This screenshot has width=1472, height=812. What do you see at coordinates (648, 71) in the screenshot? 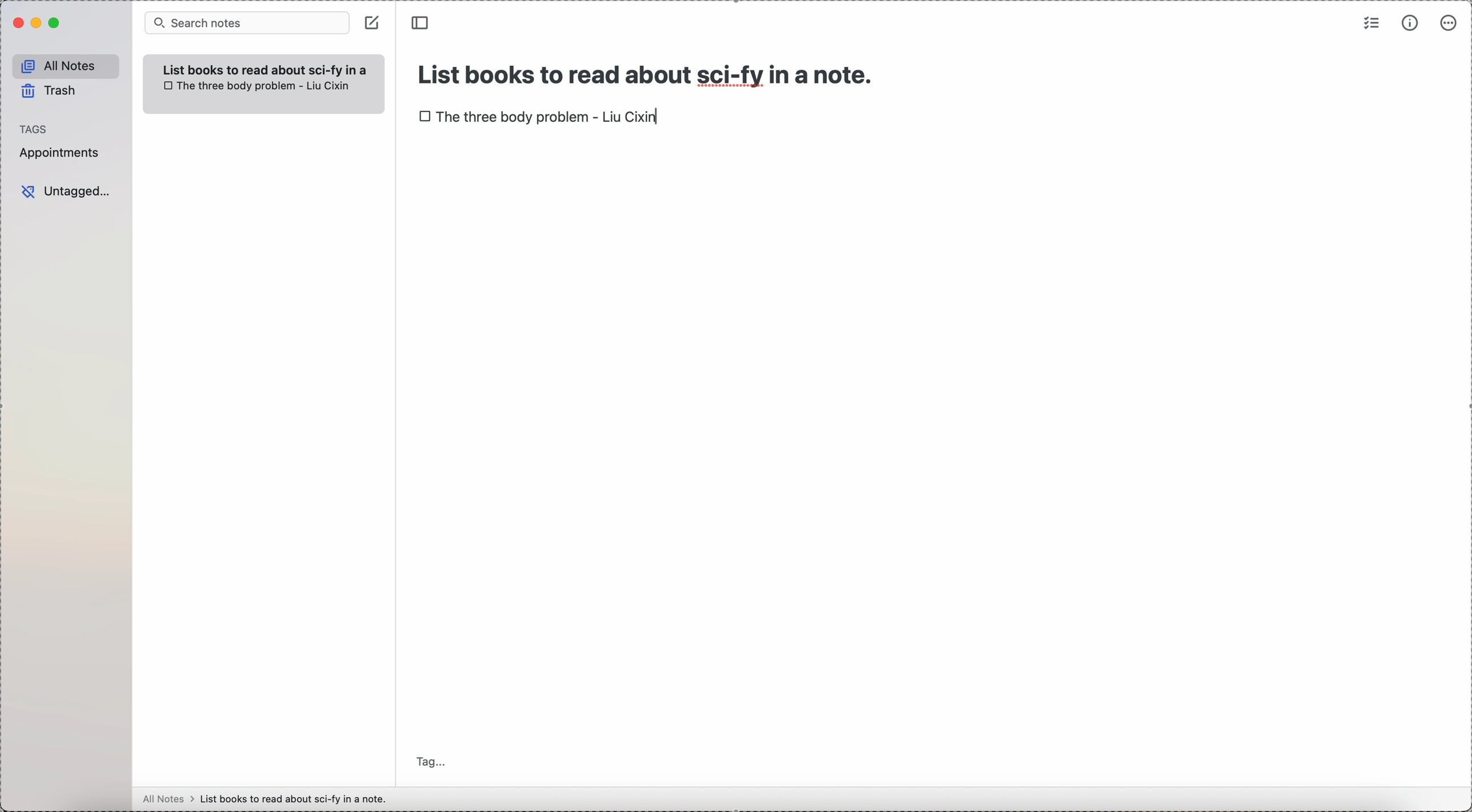
I see `title: List books to read about sci-fy in a note.` at bounding box center [648, 71].